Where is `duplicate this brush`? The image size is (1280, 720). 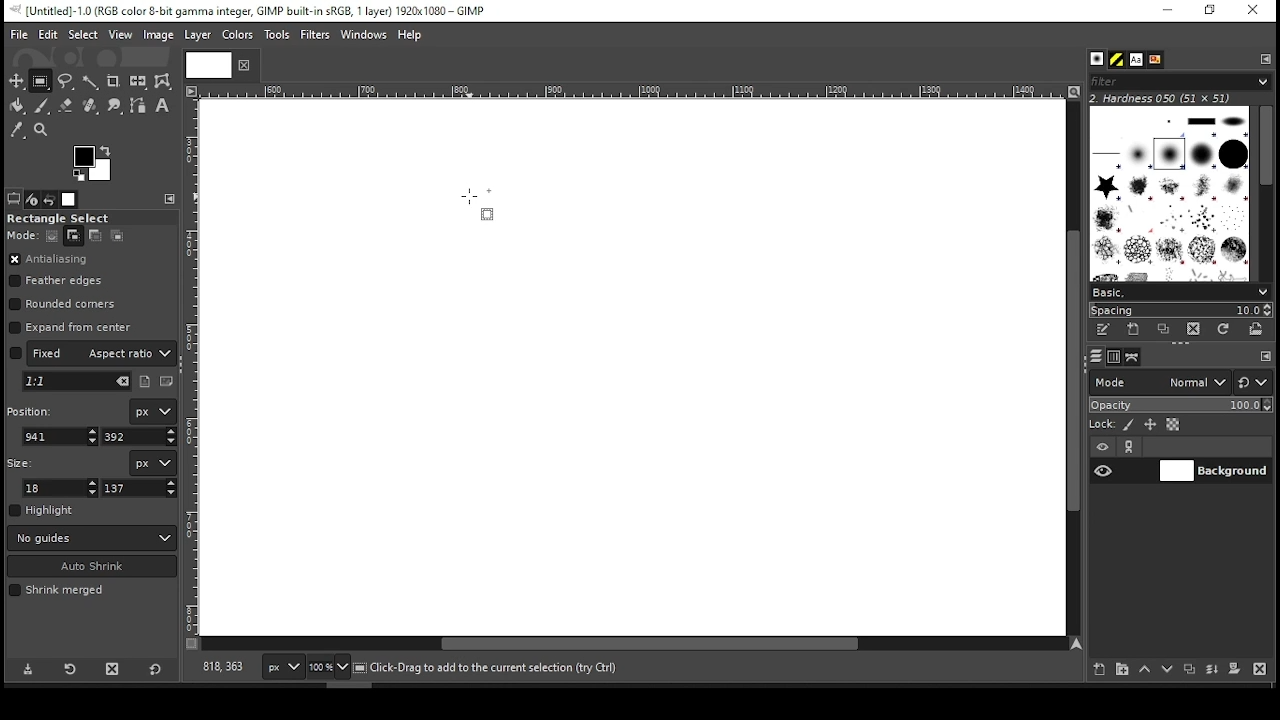
duplicate this brush is located at coordinates (1169, 329).